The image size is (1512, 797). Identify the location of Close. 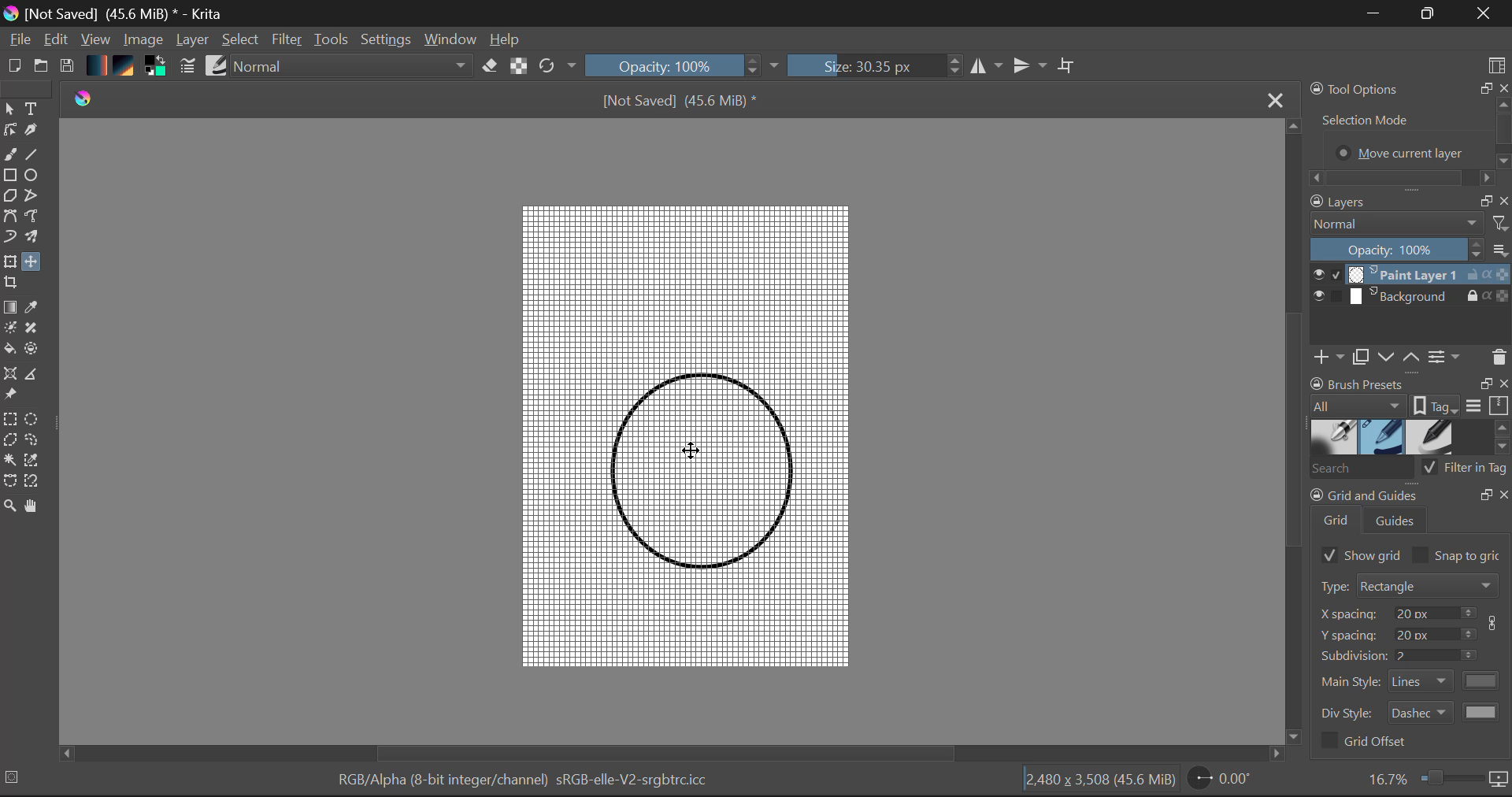
(1487, 13).